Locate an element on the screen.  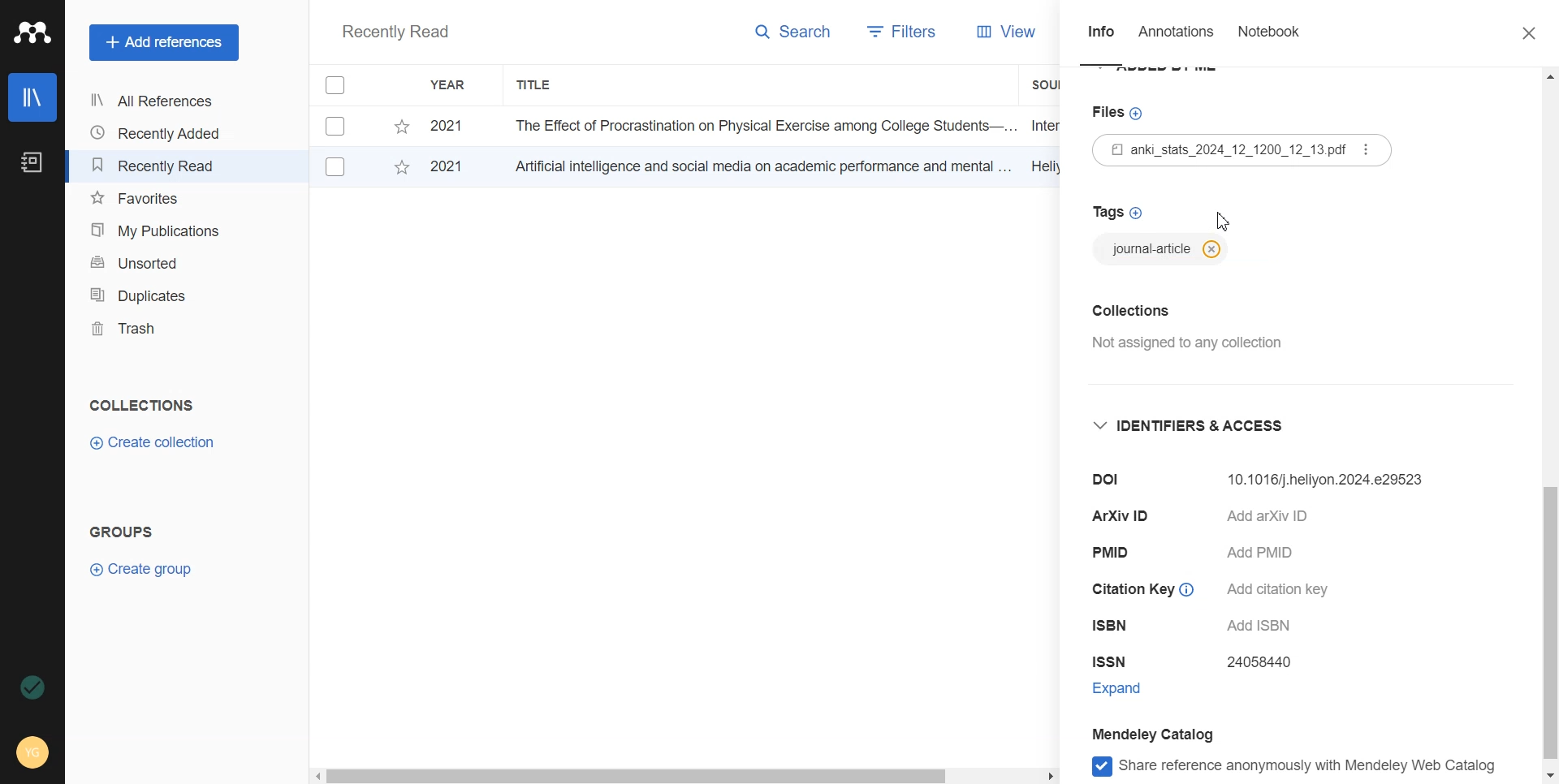
Recently Read is located at coordinates (158, 166).